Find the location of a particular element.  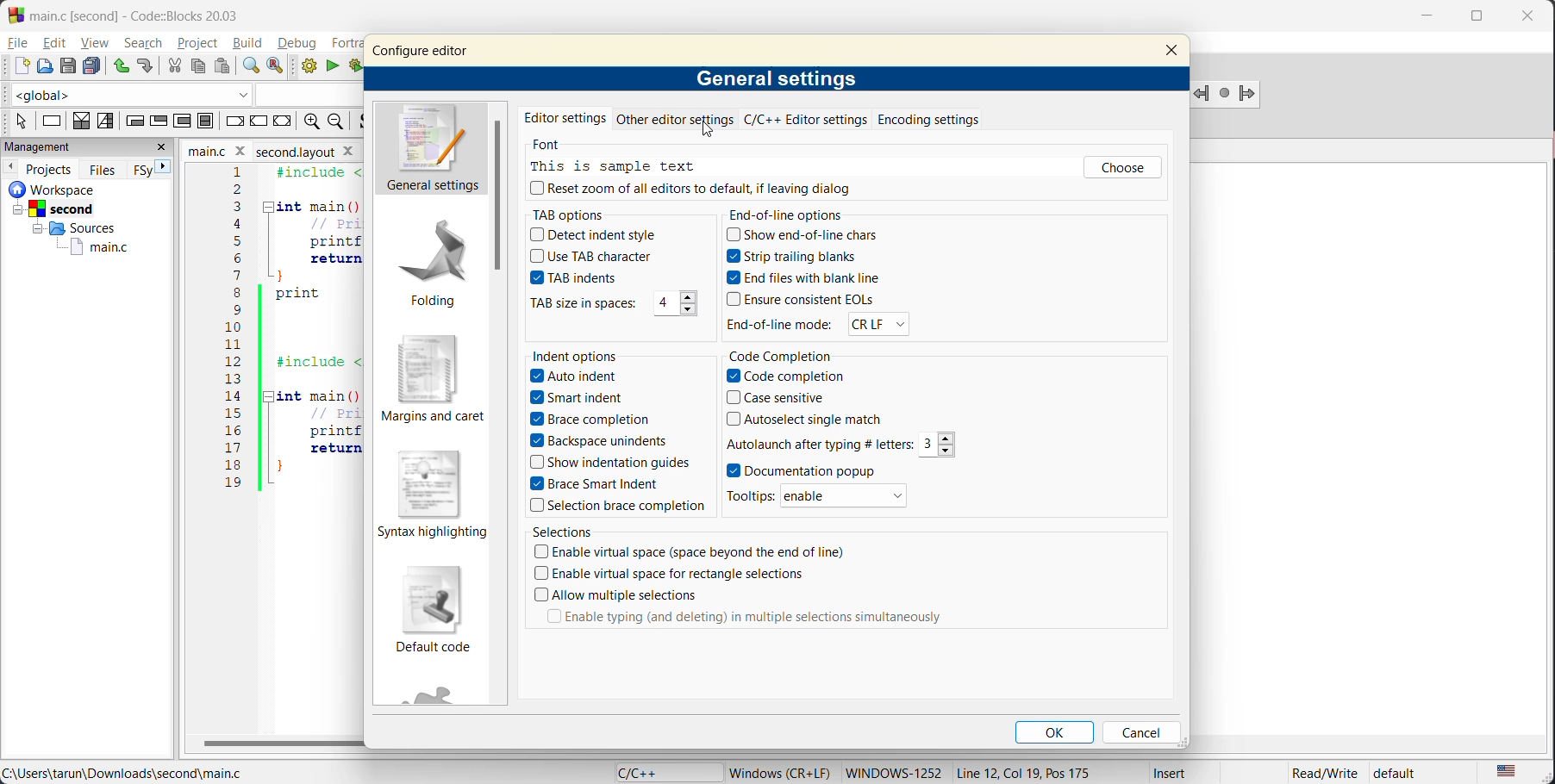

build is located at coordinates (250, 45).